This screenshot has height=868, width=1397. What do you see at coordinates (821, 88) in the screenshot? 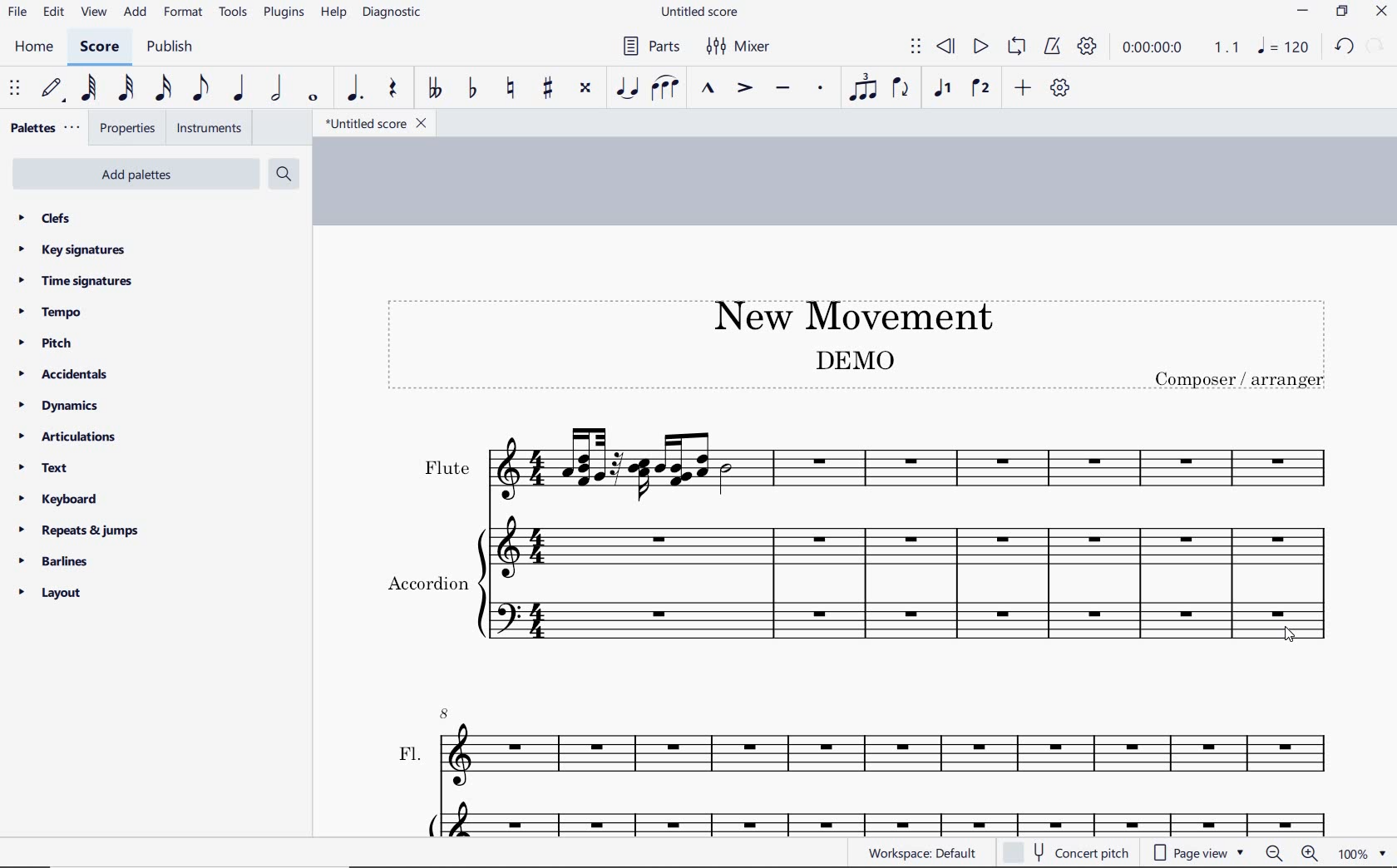
I see `staccato` at bounding box center [821, 88].